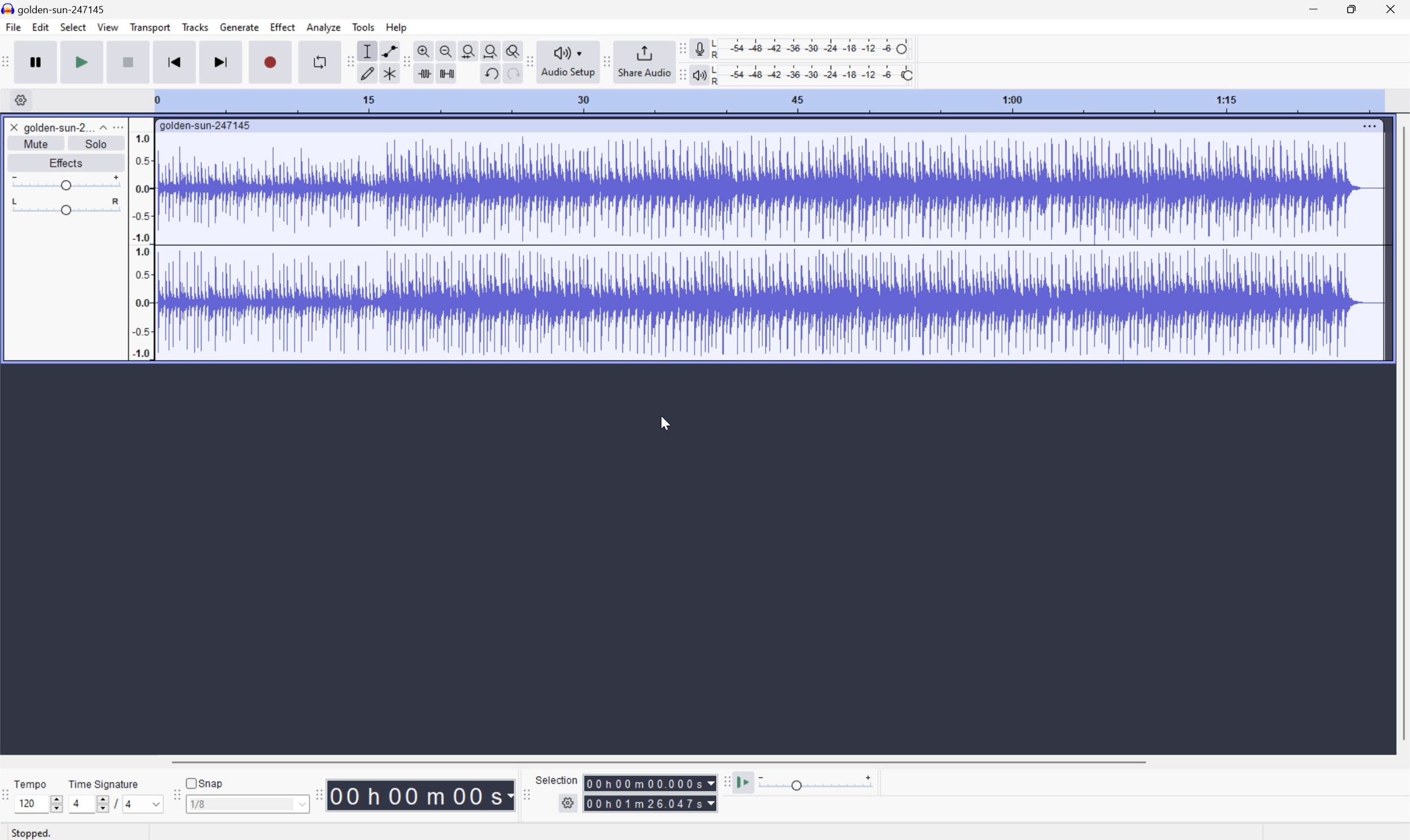  Describe the element at coordinates (397, 26) in the screenshot. I see `Help` at that location.